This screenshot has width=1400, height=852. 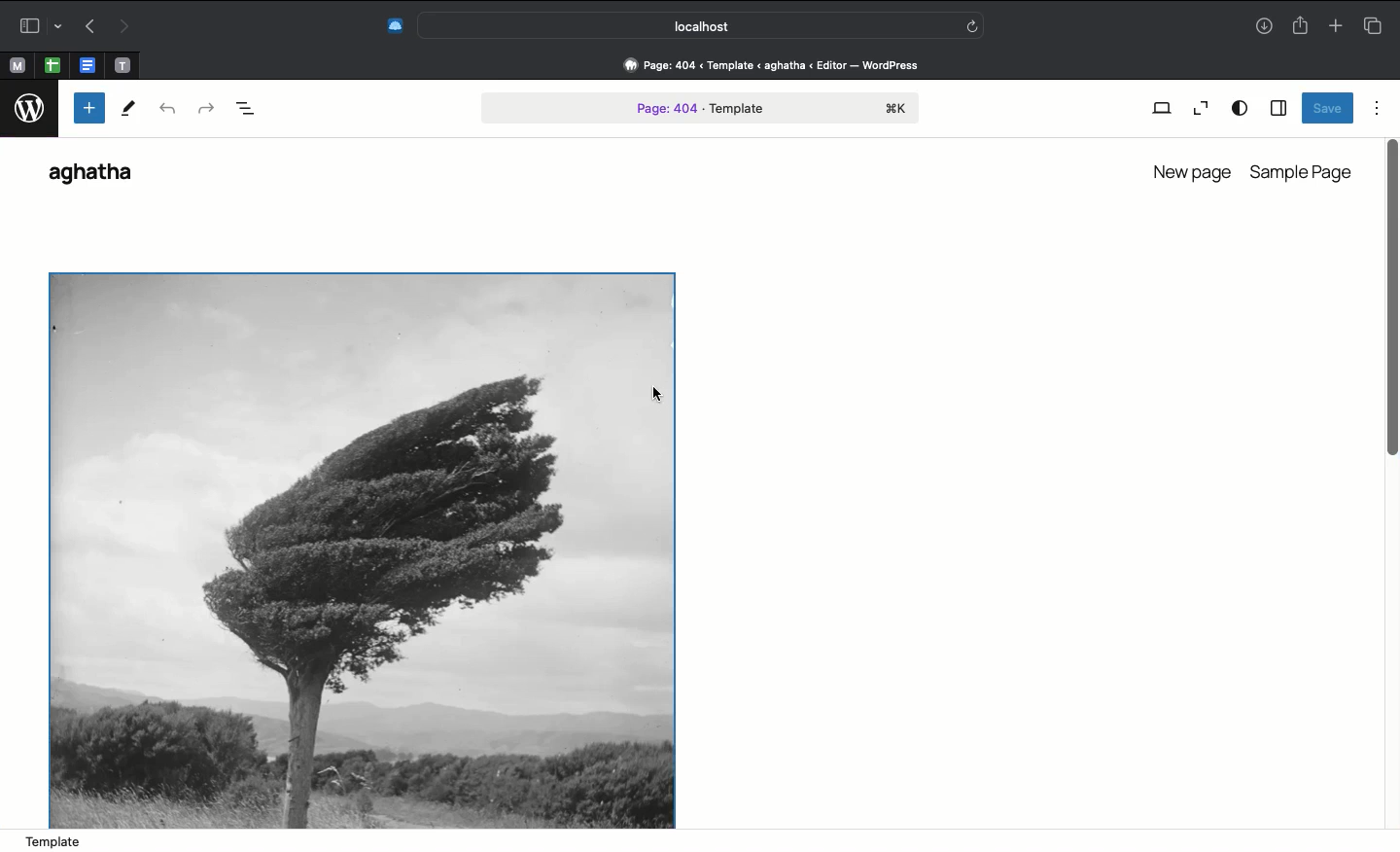 What do you see at coordinates (703, 24) in the screenshot?
I see `Search bar` at bounding box center [703, 24].